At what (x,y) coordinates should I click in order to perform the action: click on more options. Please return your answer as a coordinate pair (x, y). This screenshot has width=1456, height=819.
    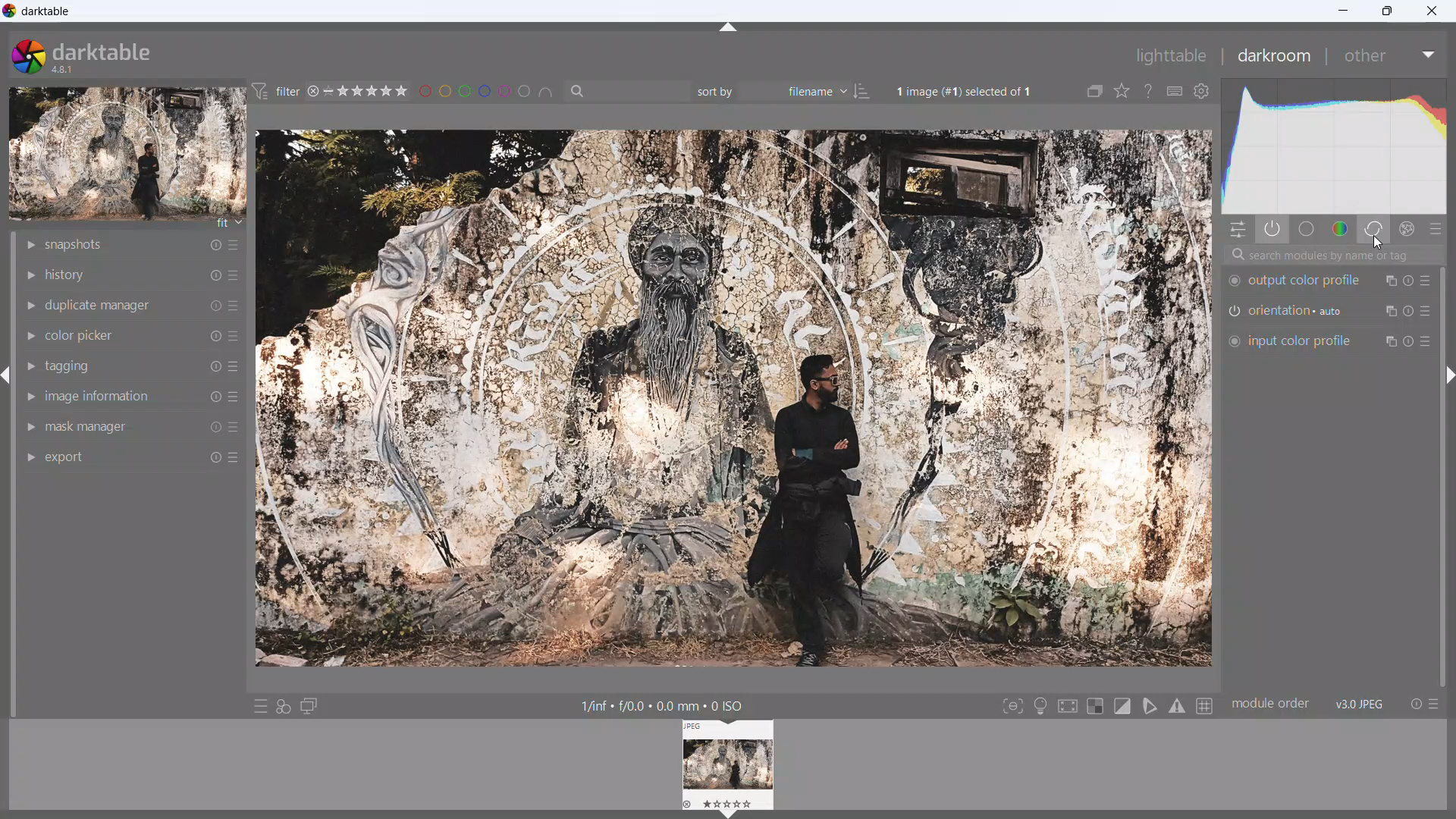
    Looking at the image, I should click on (238, 367).